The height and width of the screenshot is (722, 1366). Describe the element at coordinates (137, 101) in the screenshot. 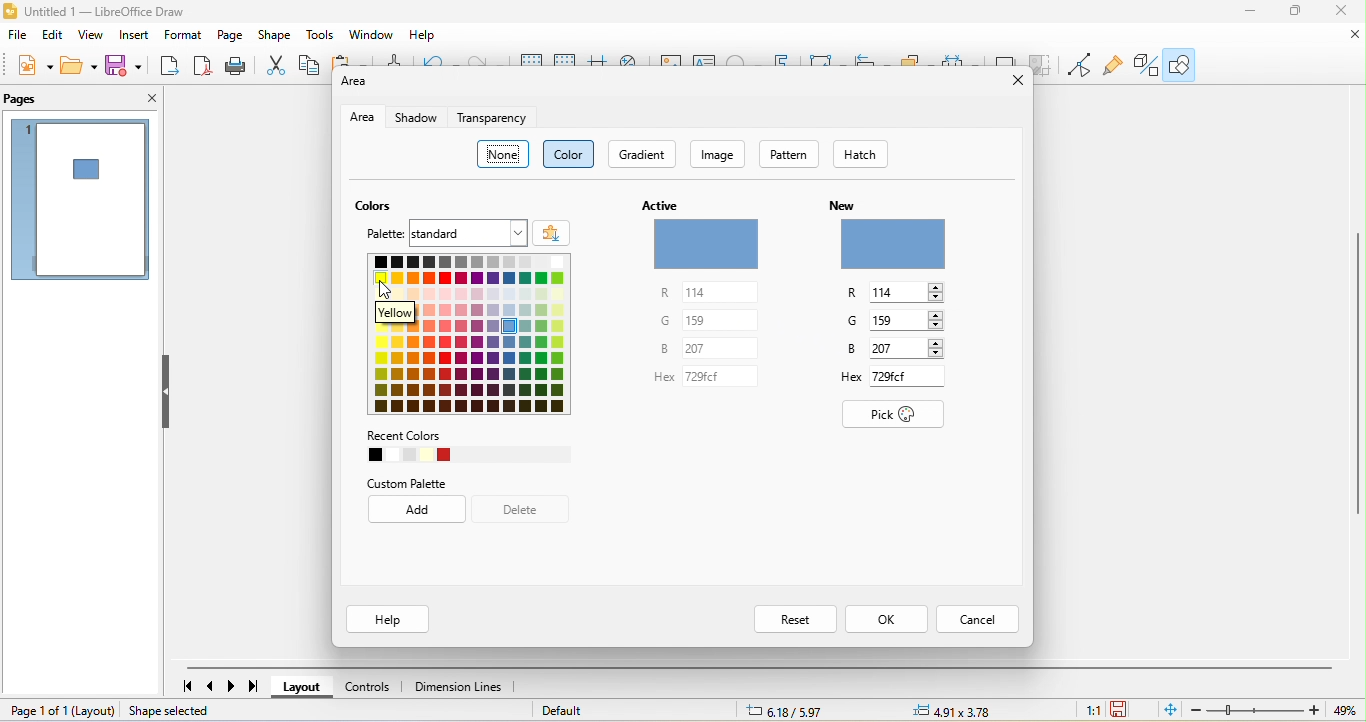

I see `close` at that location.